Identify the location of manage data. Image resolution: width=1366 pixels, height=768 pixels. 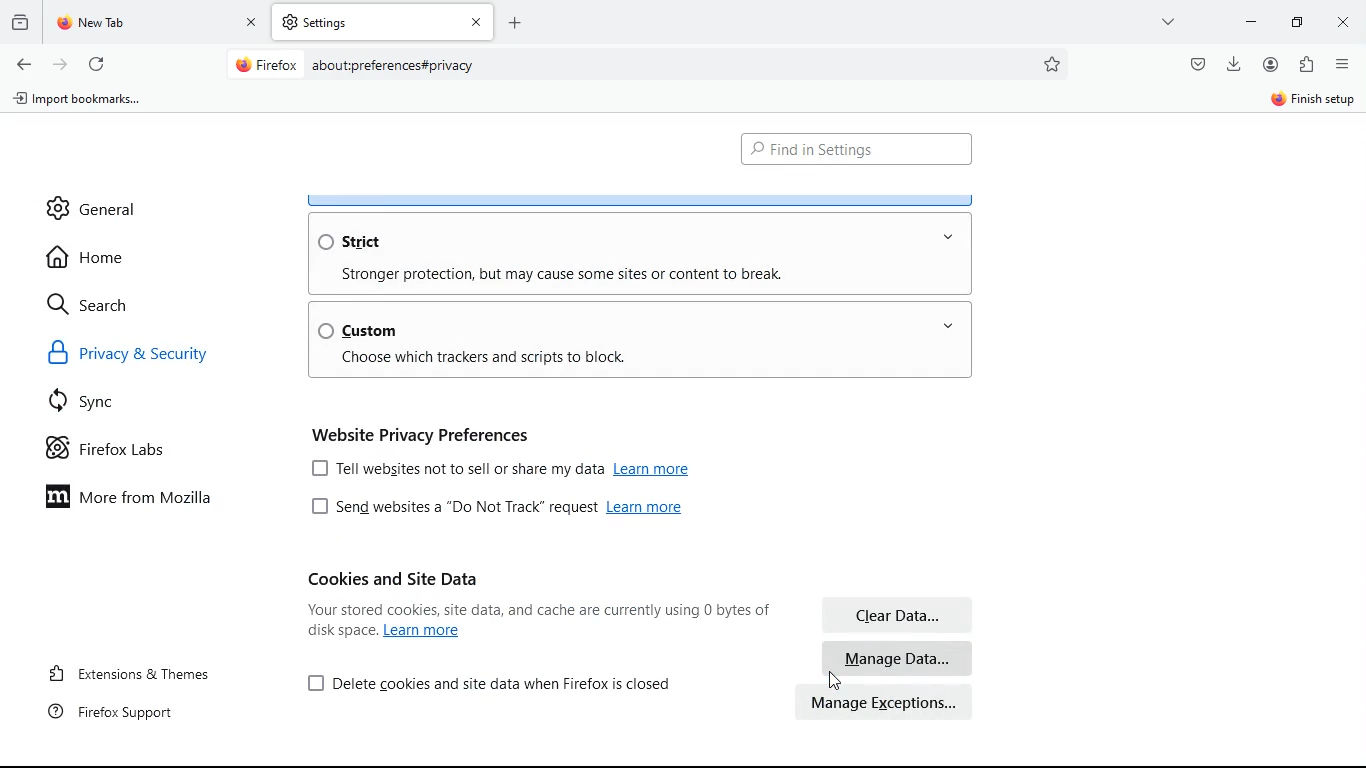
(898, 658).